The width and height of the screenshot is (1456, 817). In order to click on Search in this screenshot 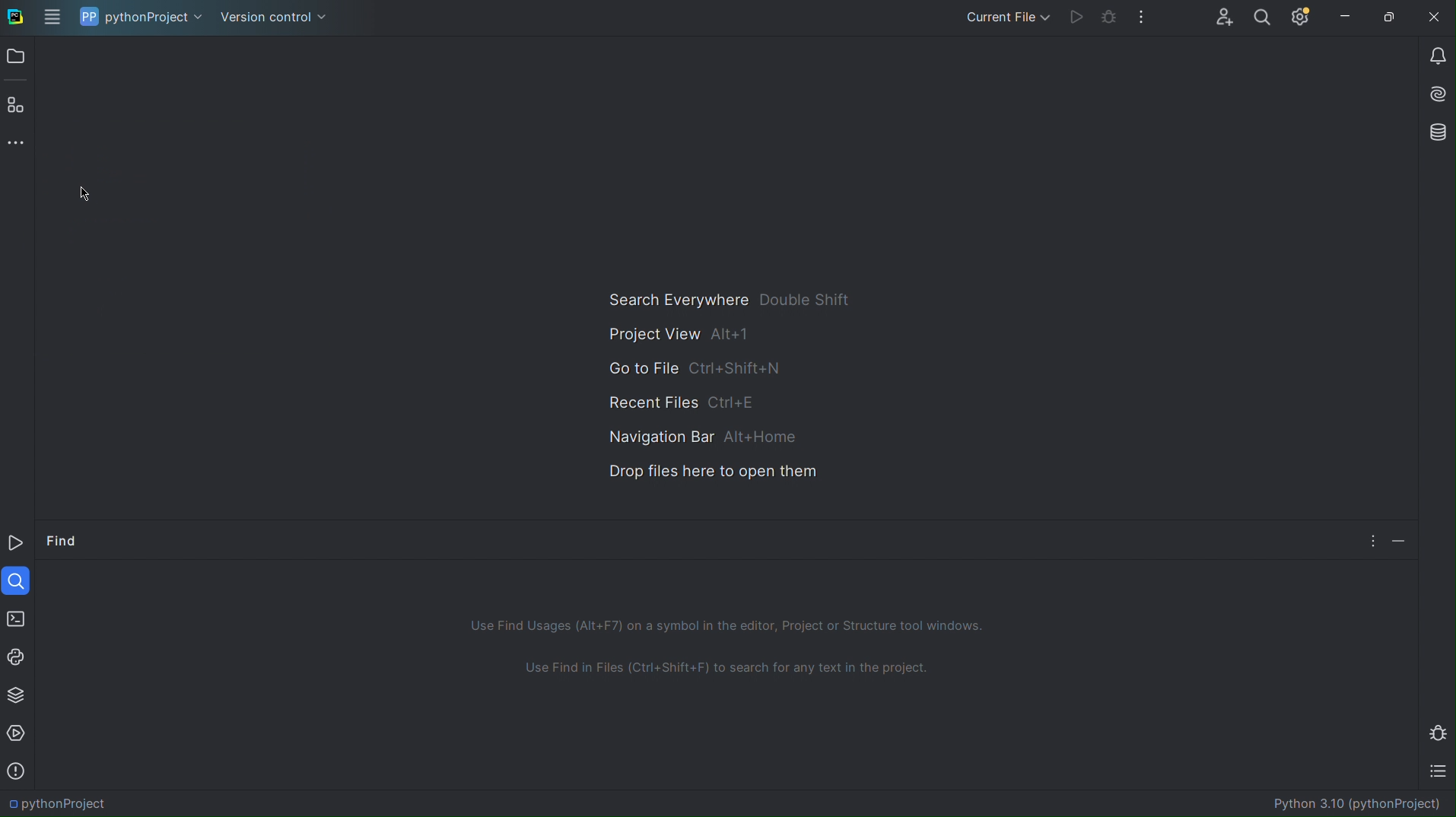, I will do `click(1267, 19)`.